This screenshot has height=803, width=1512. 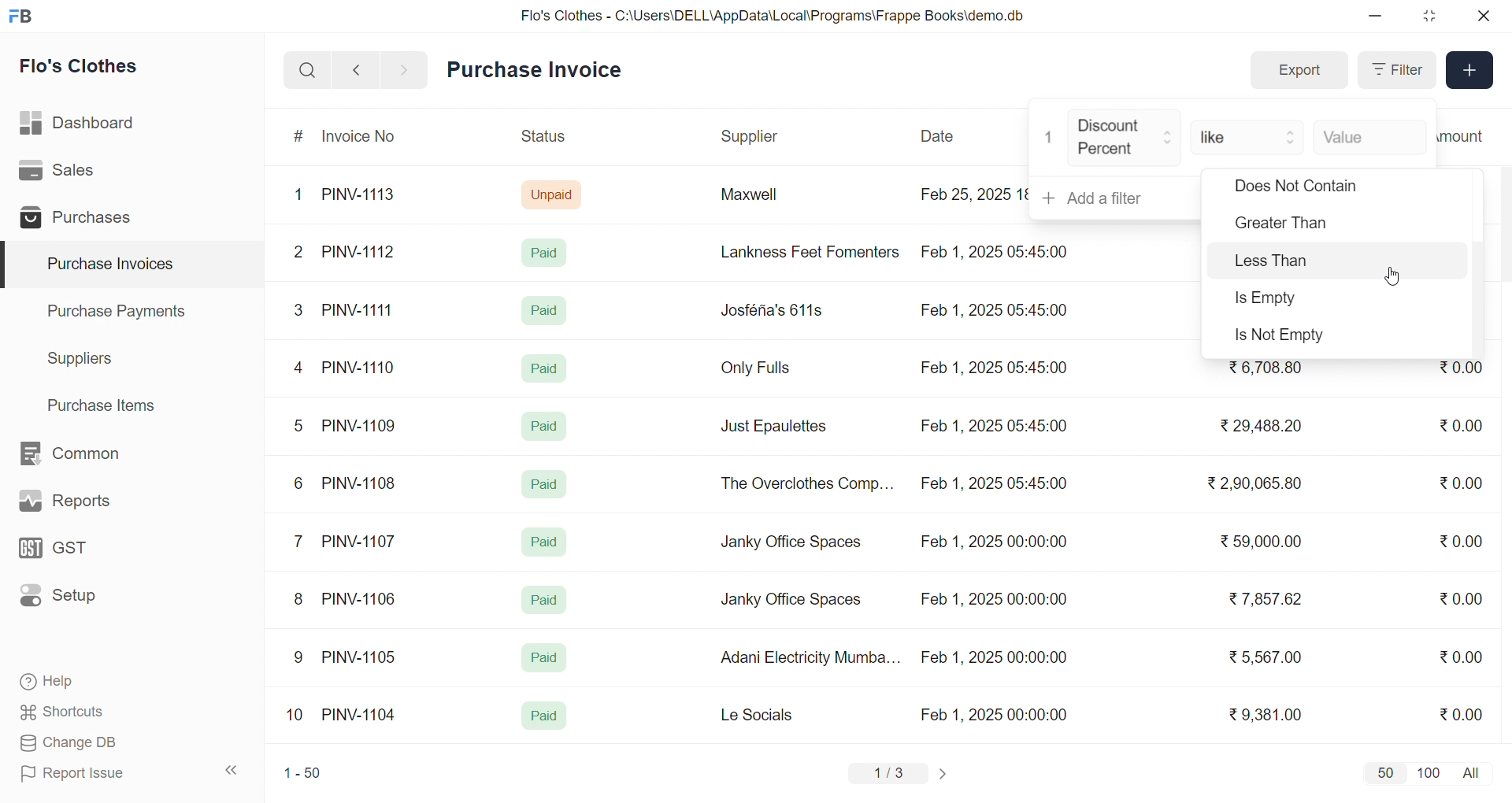 I want to click on Just Epaulettes, so click(x=780, y=427).